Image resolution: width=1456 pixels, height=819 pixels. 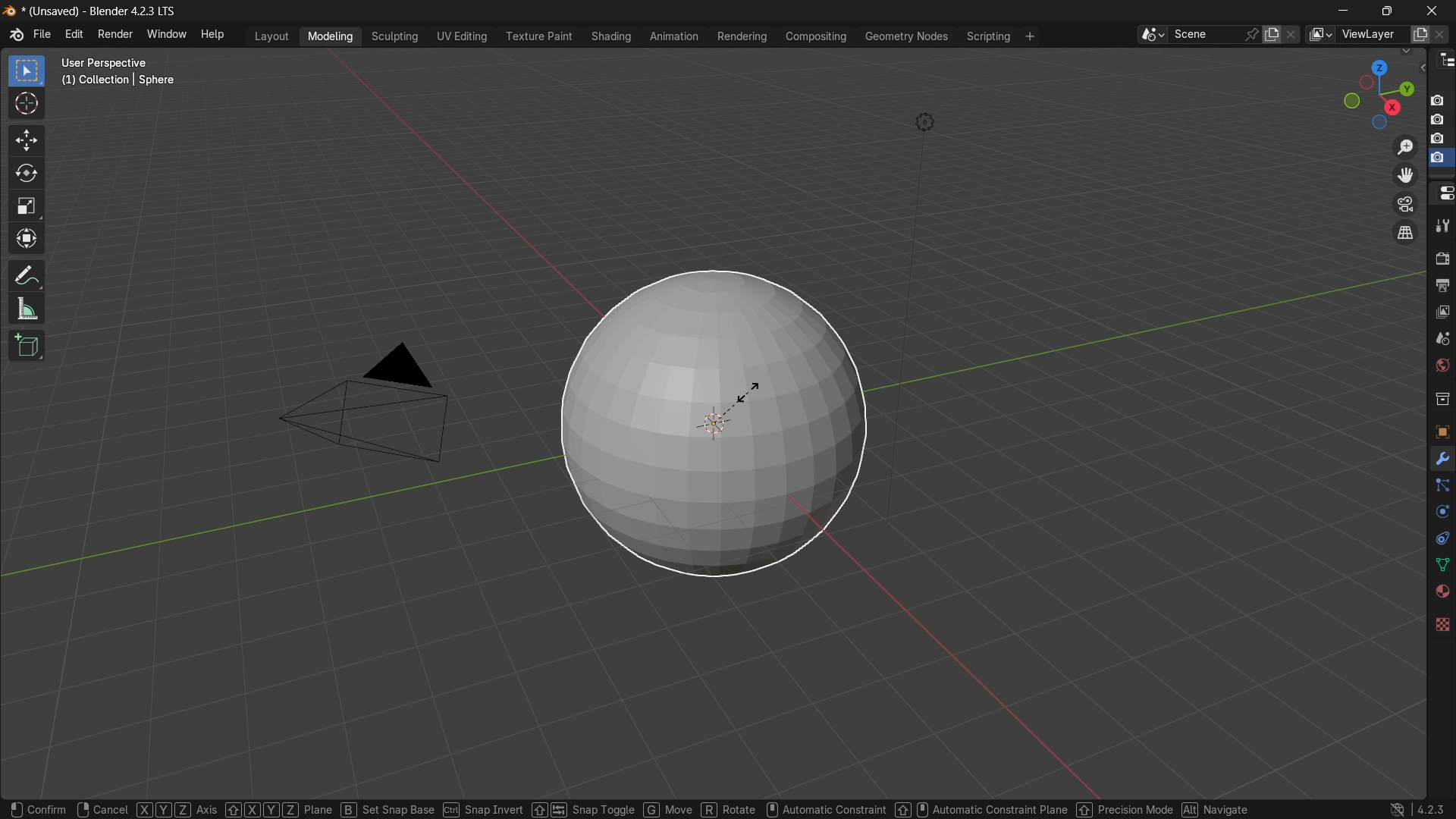 What do you see at coordinates (27, 344) in the screenshot?
I see `add cube` at bounding box center [27, 344].